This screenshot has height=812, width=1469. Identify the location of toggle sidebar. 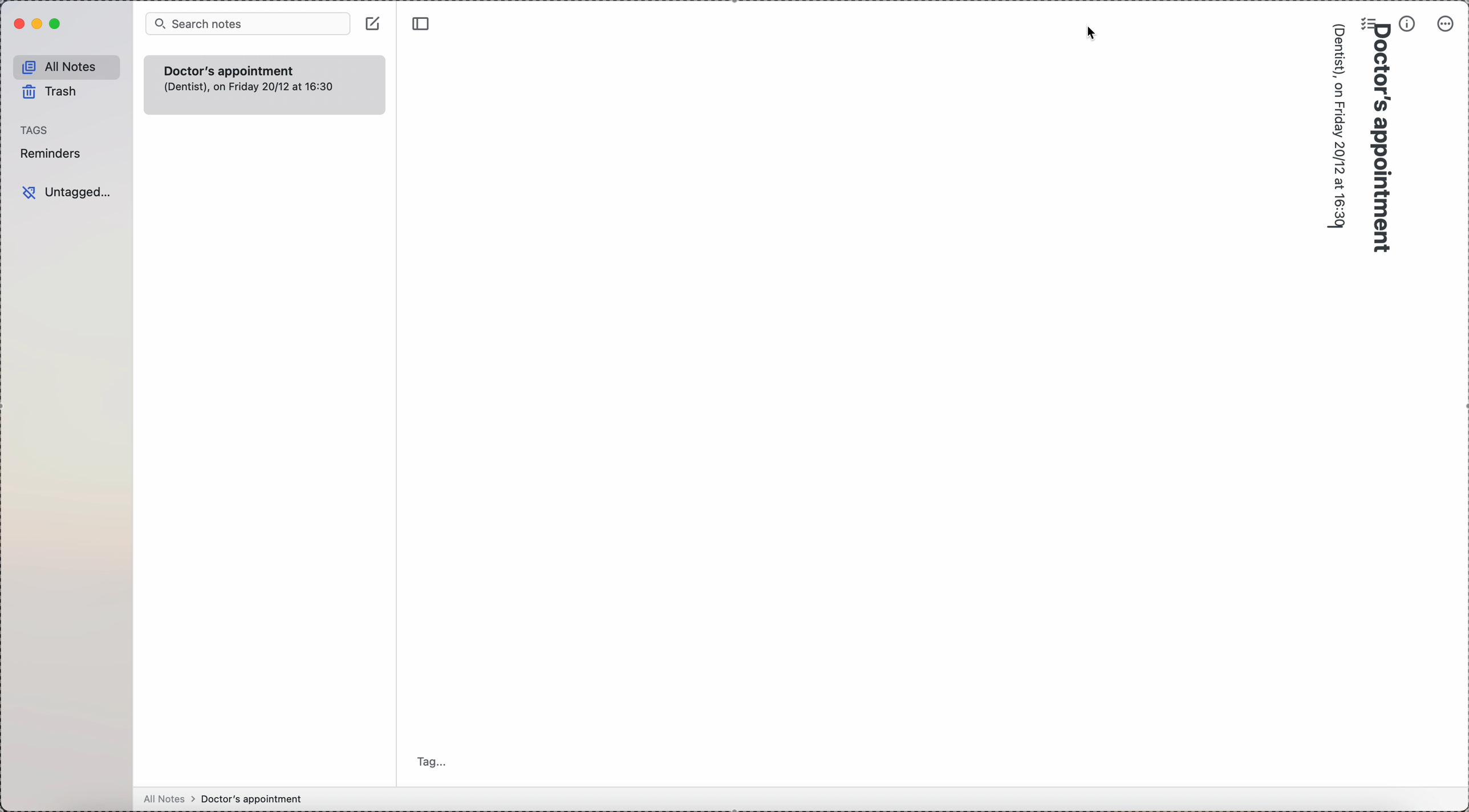
(423, 26).